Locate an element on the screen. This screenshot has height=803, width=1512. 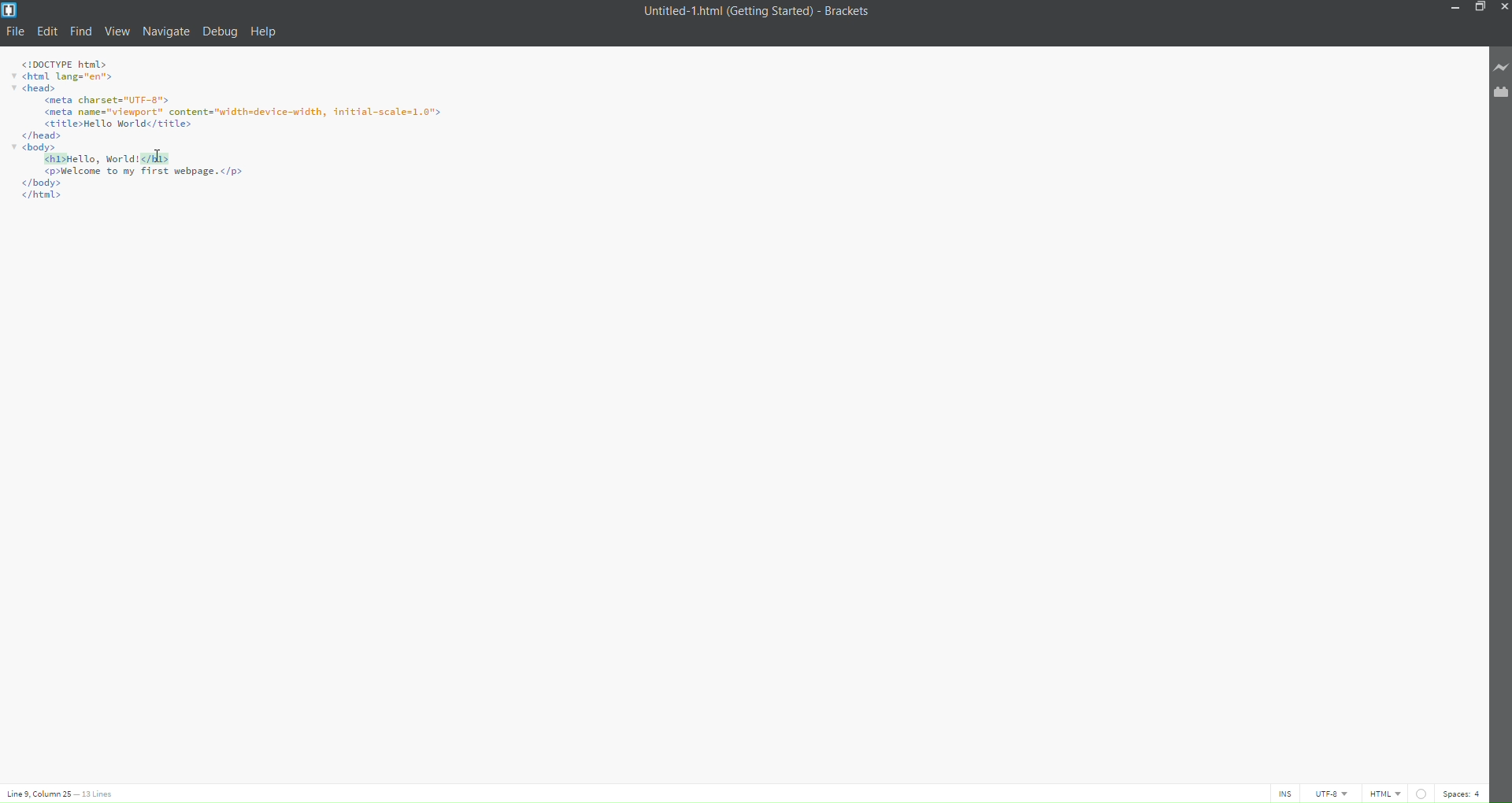
ins is located at coordinates (1285, 794).